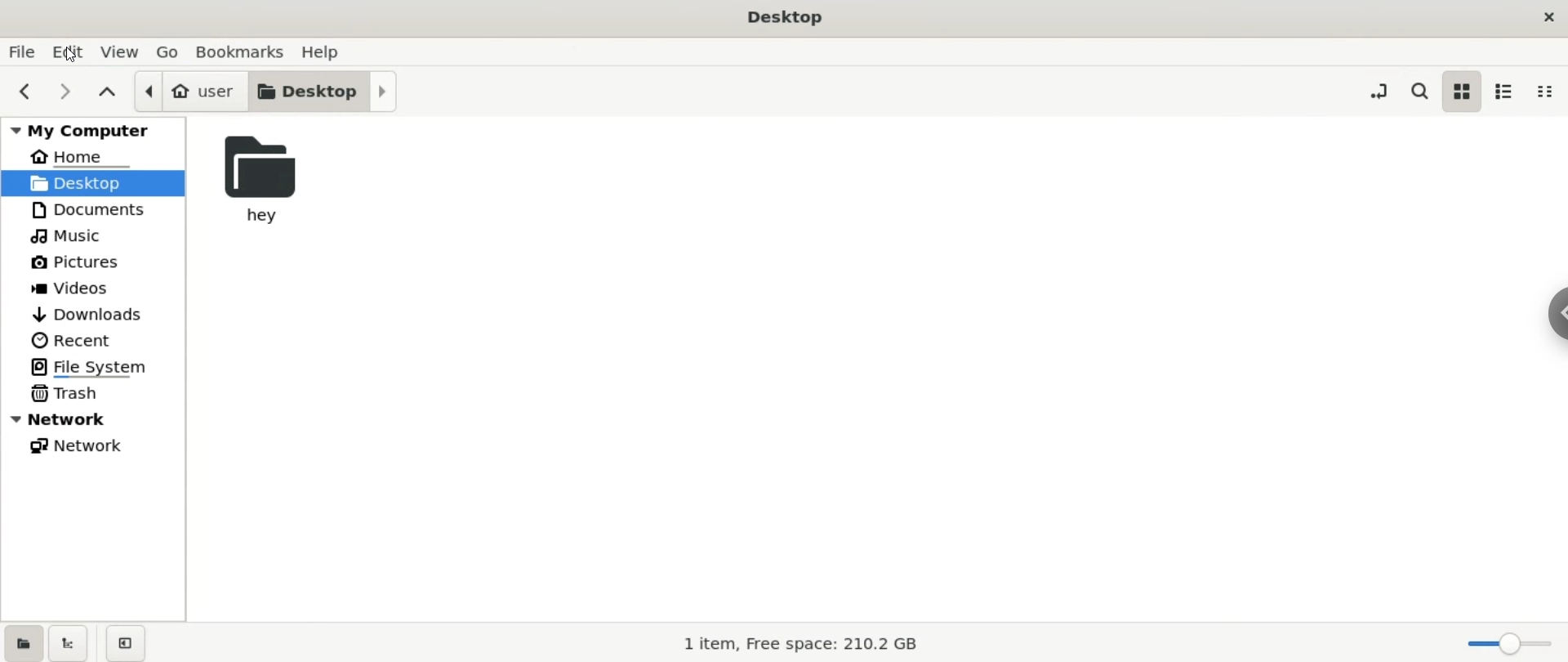 The width and height of the screenshot is (1568, 662). I want to click on file system, so click(100, 365).